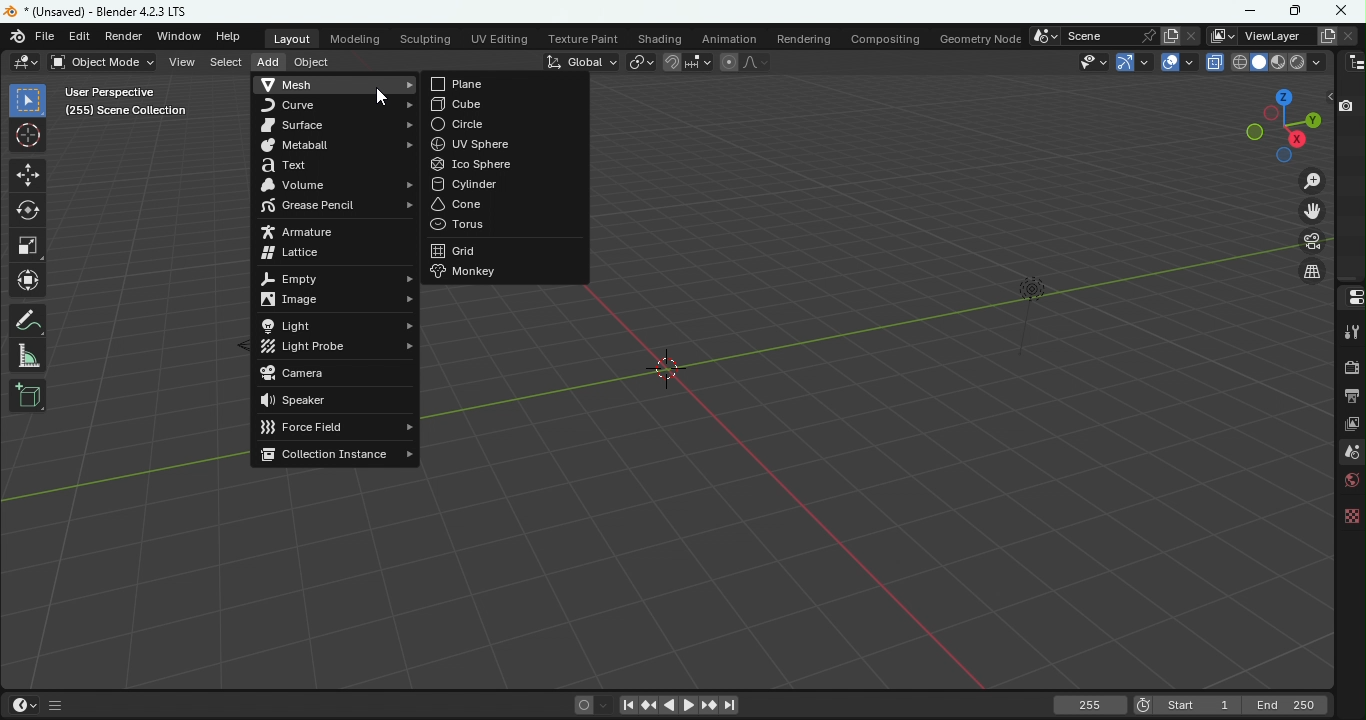 The image size is (1366, 720). I want to click on Cursor, so click(382, 98).